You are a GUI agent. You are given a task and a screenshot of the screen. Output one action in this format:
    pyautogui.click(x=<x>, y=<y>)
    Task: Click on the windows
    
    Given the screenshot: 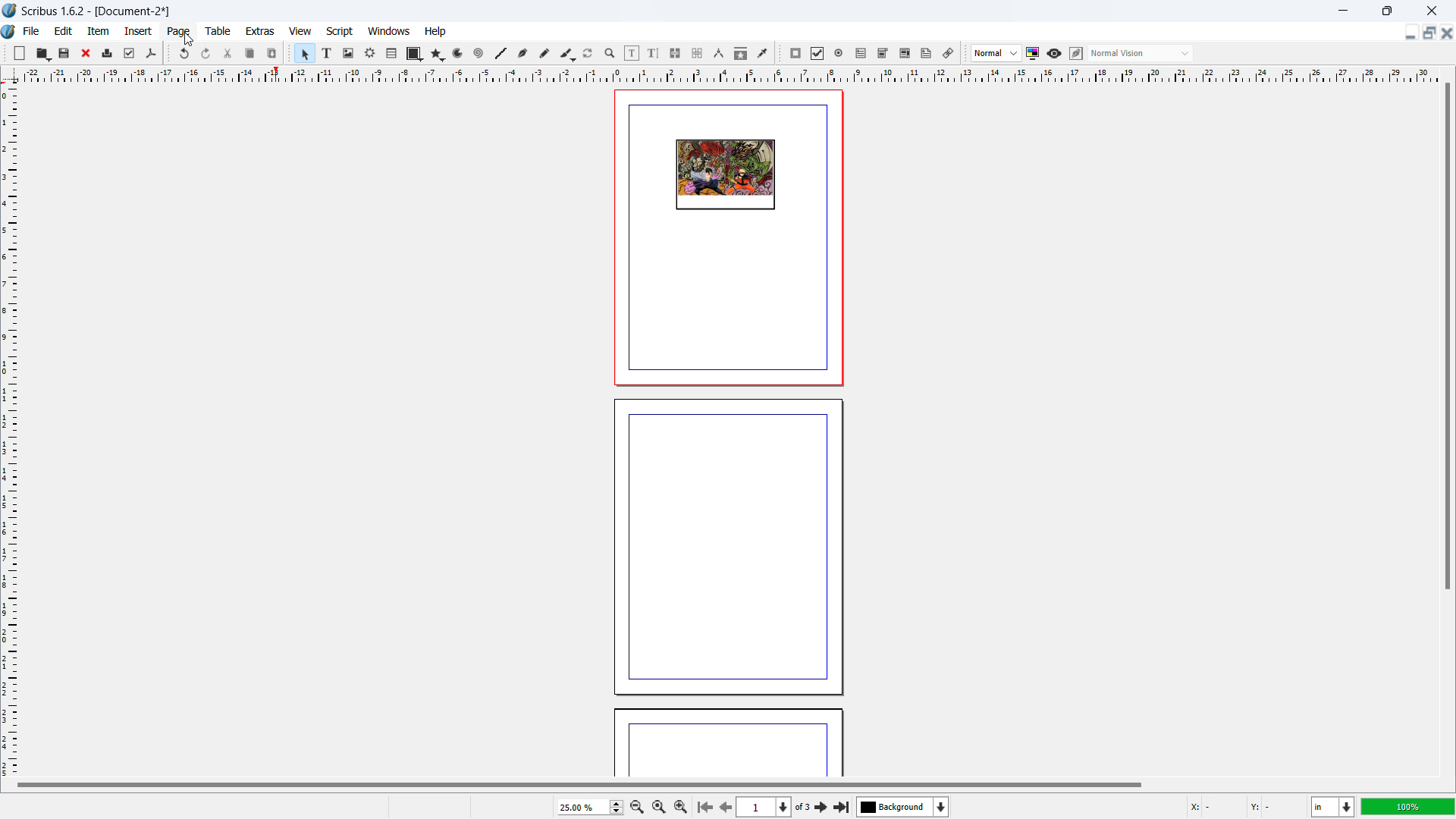 What is the action you would take?
    pyautogui.click(x=390, y=31)
    